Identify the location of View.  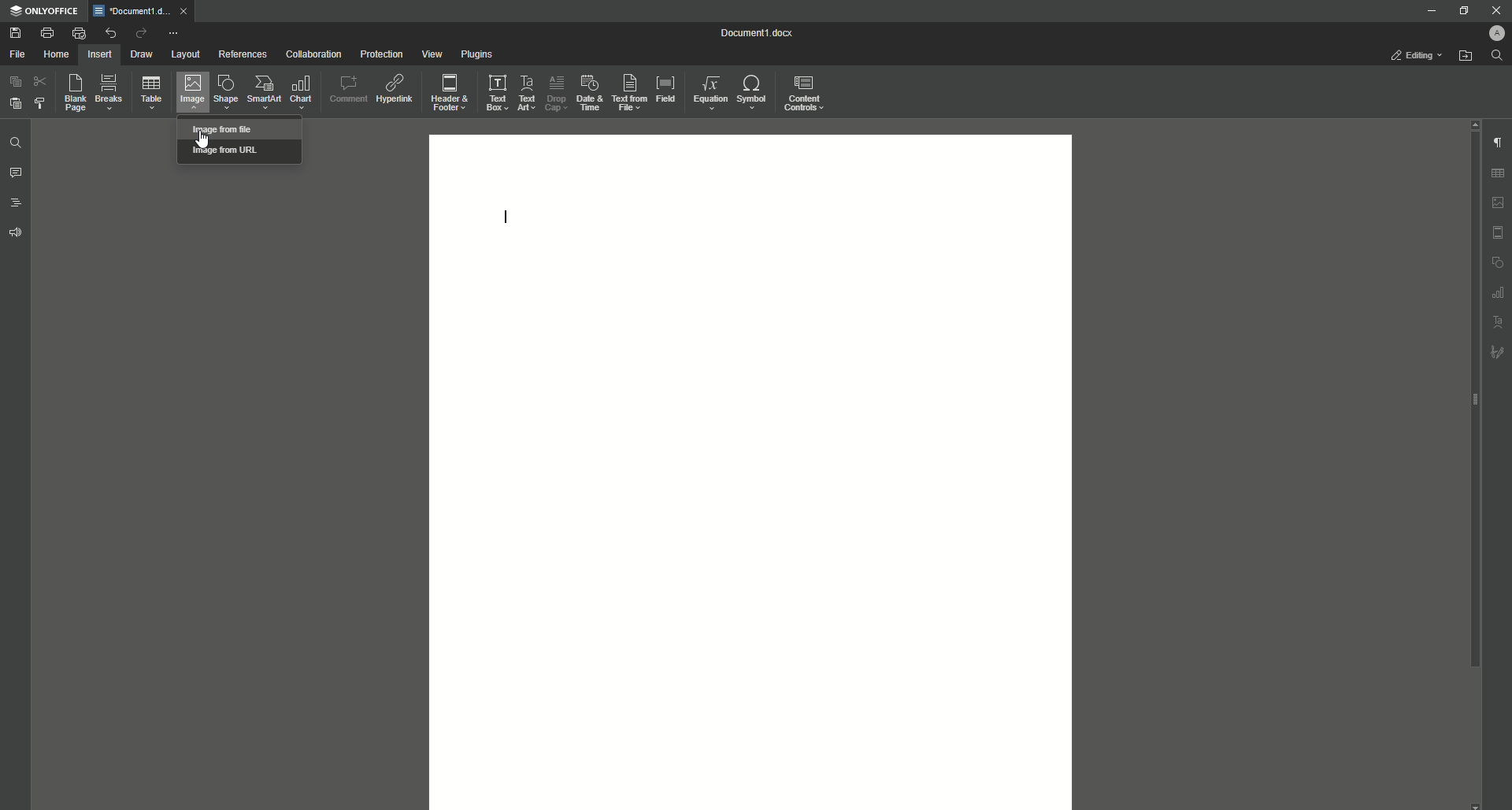
(432, 55).